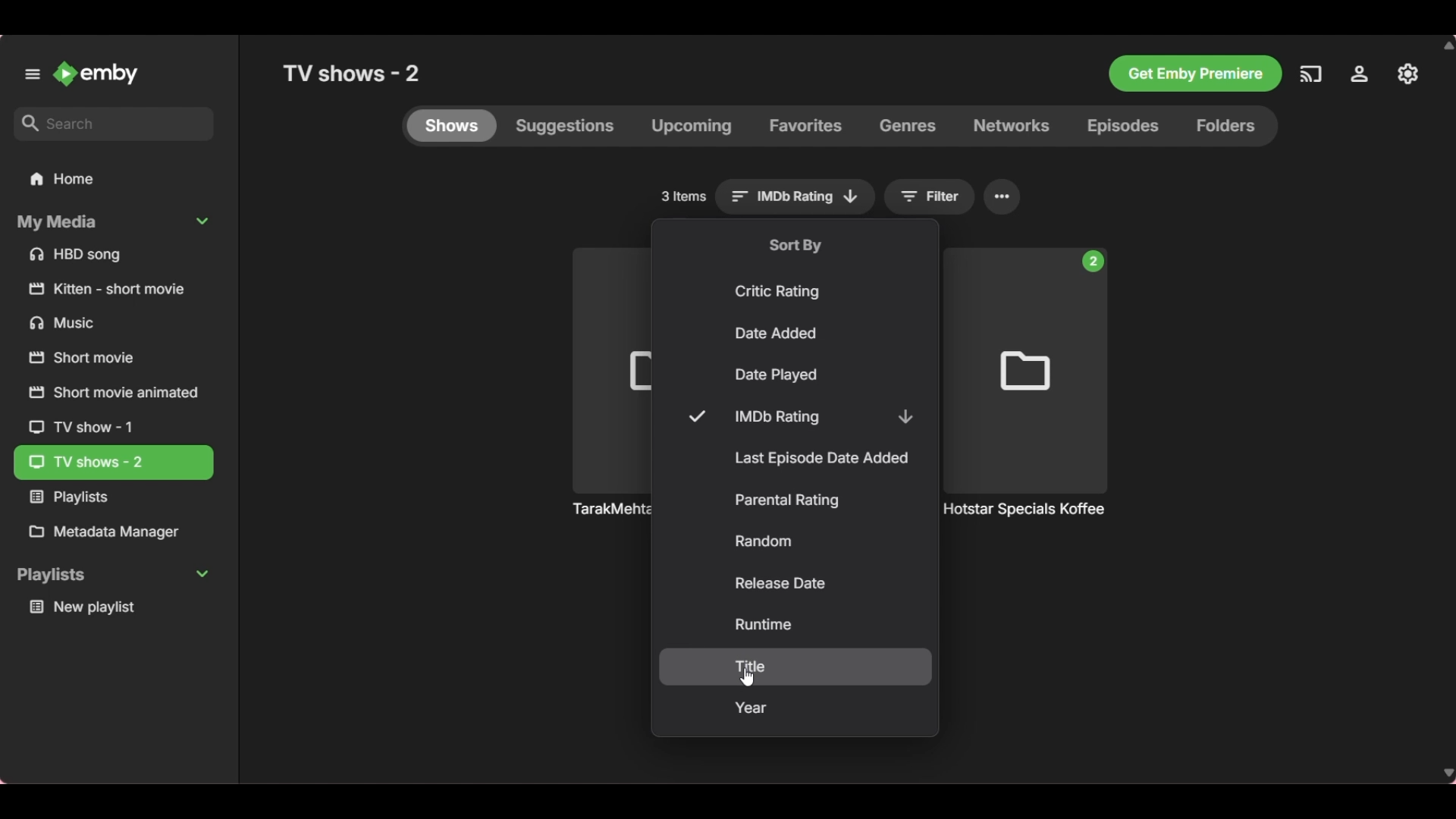 This screenshot has width=1456, height=819. What do you see at coordinates (33, 74) in the screenshot?
I see `Unpin left panel` at bounding box center [33, 74].